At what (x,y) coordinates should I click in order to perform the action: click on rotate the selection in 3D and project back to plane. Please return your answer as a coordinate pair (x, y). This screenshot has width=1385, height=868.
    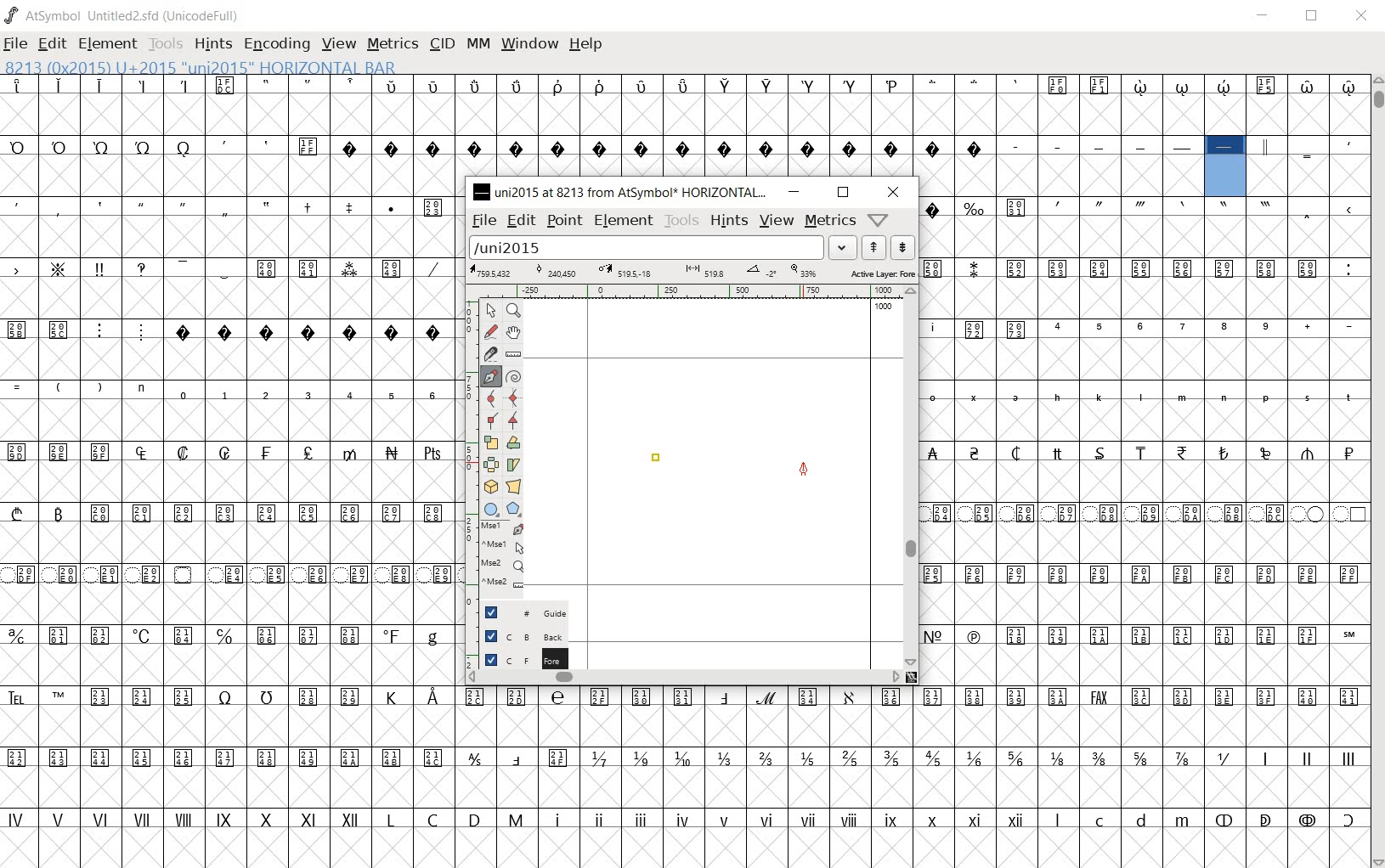
    Looking at the image, I should click on (489, 486).